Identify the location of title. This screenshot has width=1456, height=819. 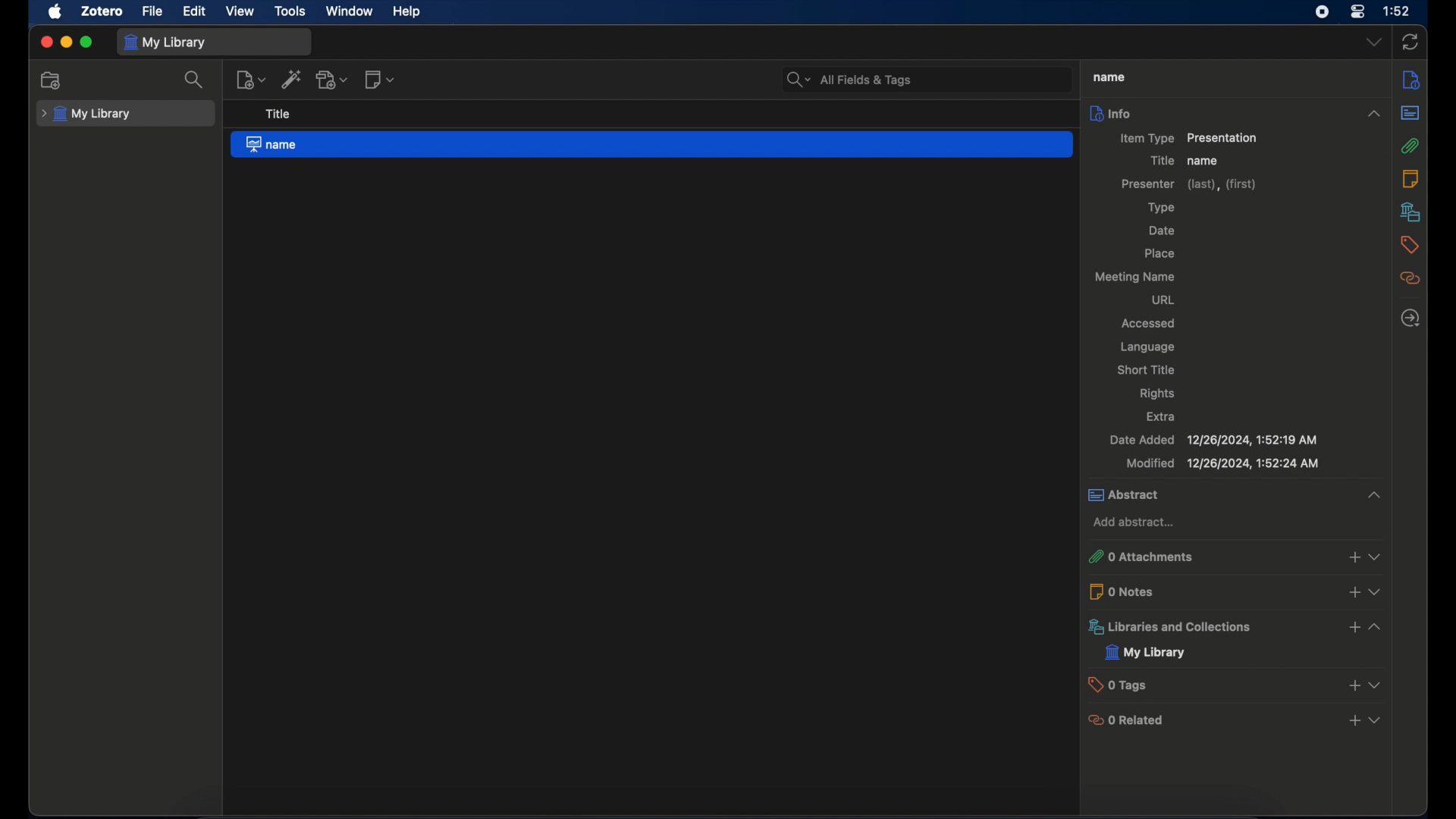
(277, 115).